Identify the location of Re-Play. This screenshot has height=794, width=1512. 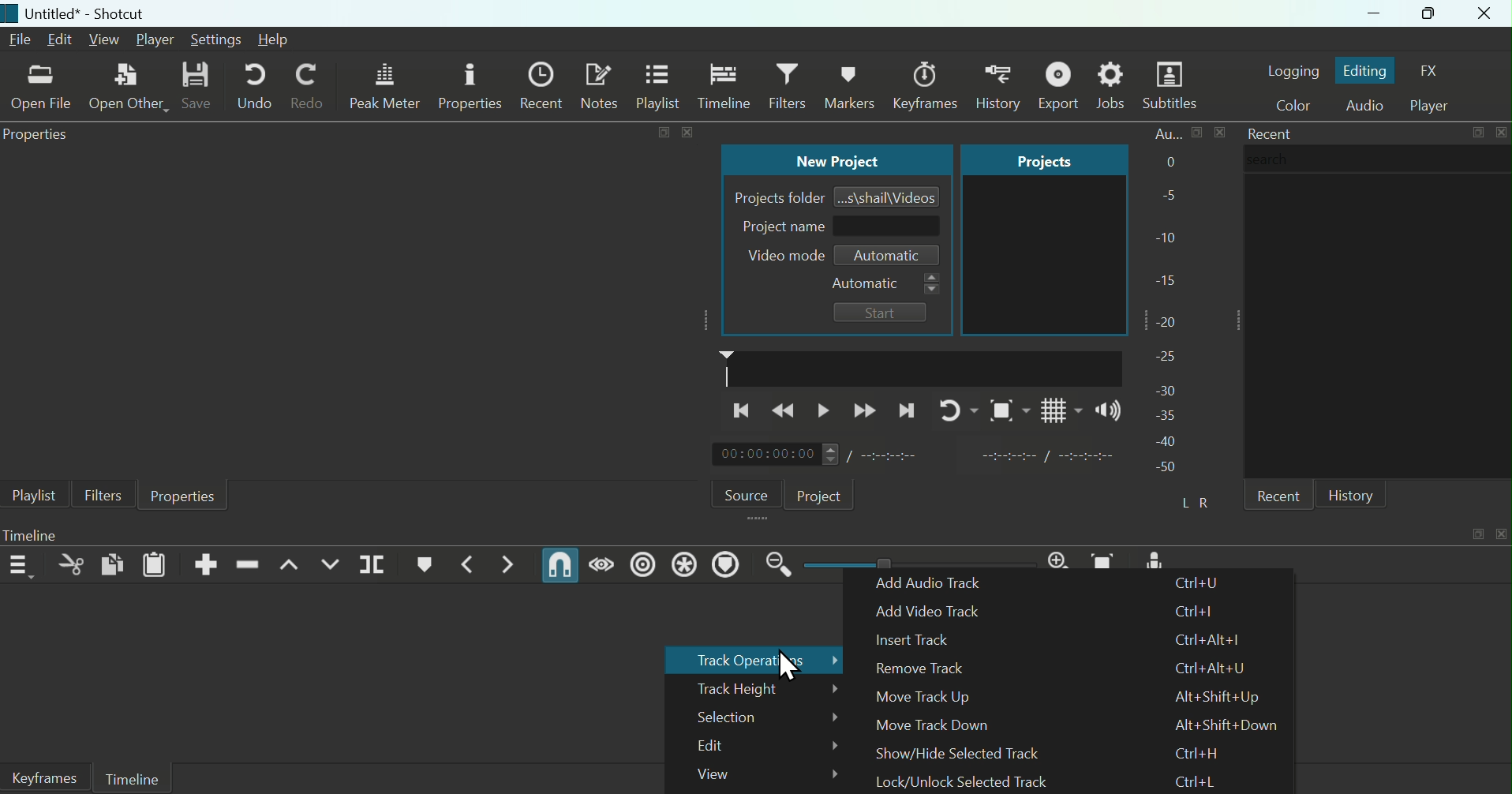
(951, 408).